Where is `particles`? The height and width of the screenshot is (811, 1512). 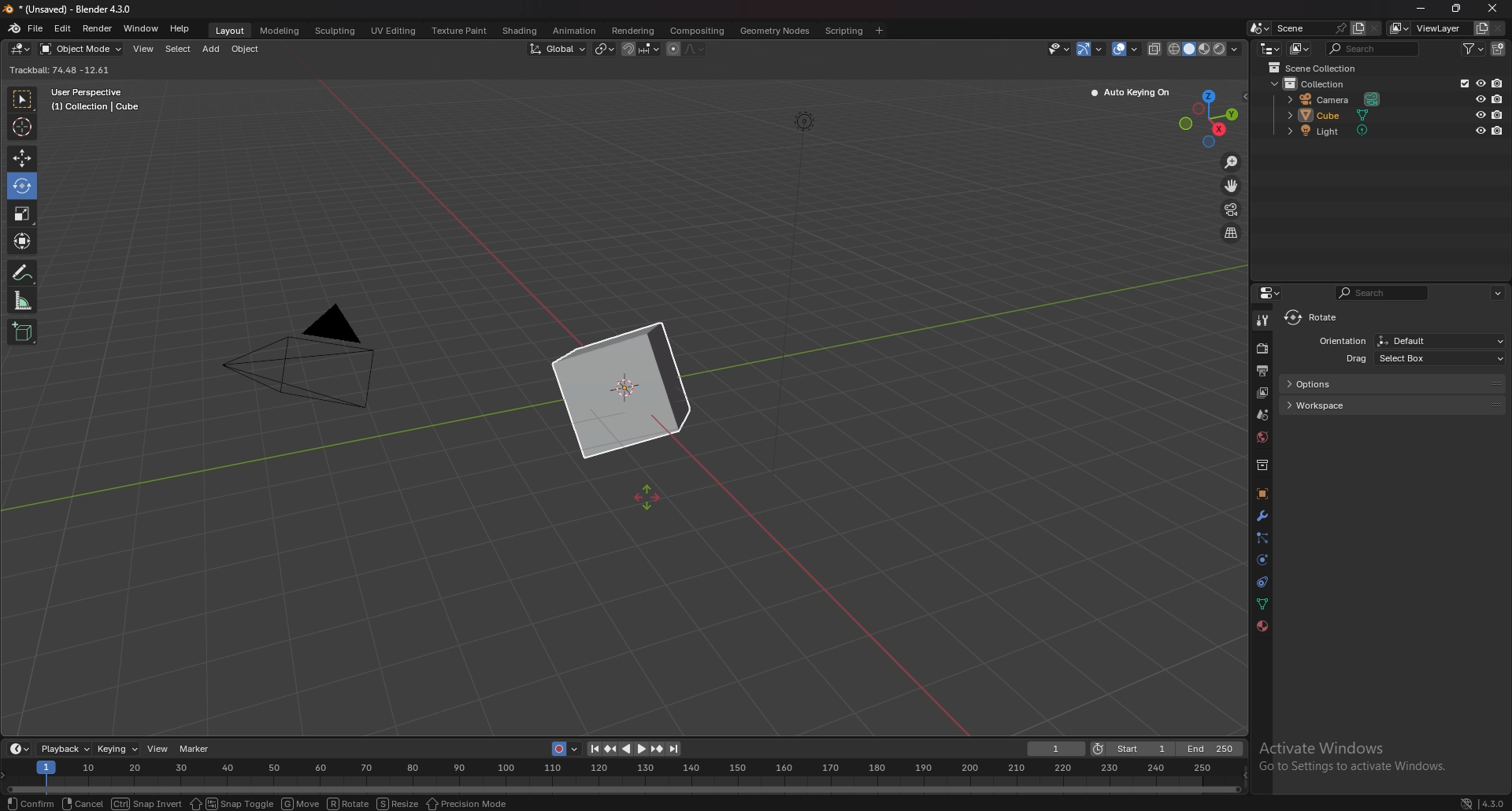 particles is located at coordinates (1262, 539).